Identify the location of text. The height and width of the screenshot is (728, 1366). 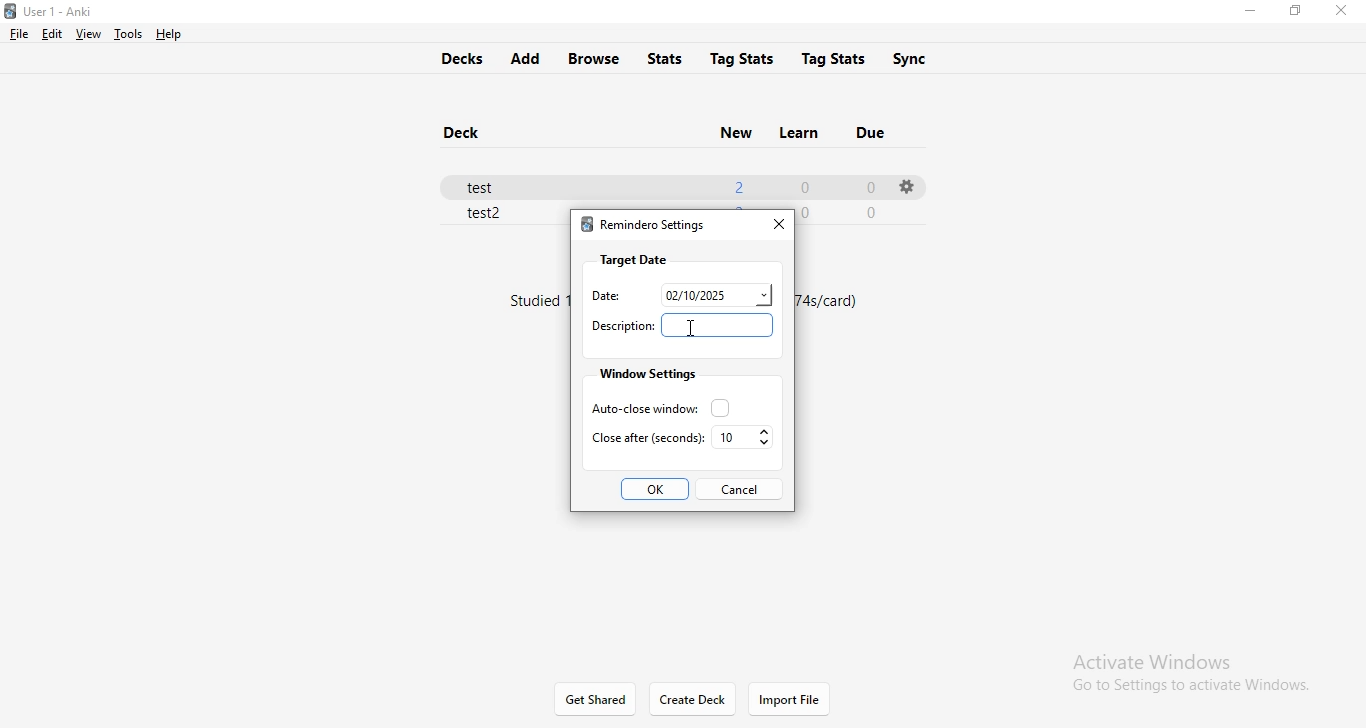
(535, 304).